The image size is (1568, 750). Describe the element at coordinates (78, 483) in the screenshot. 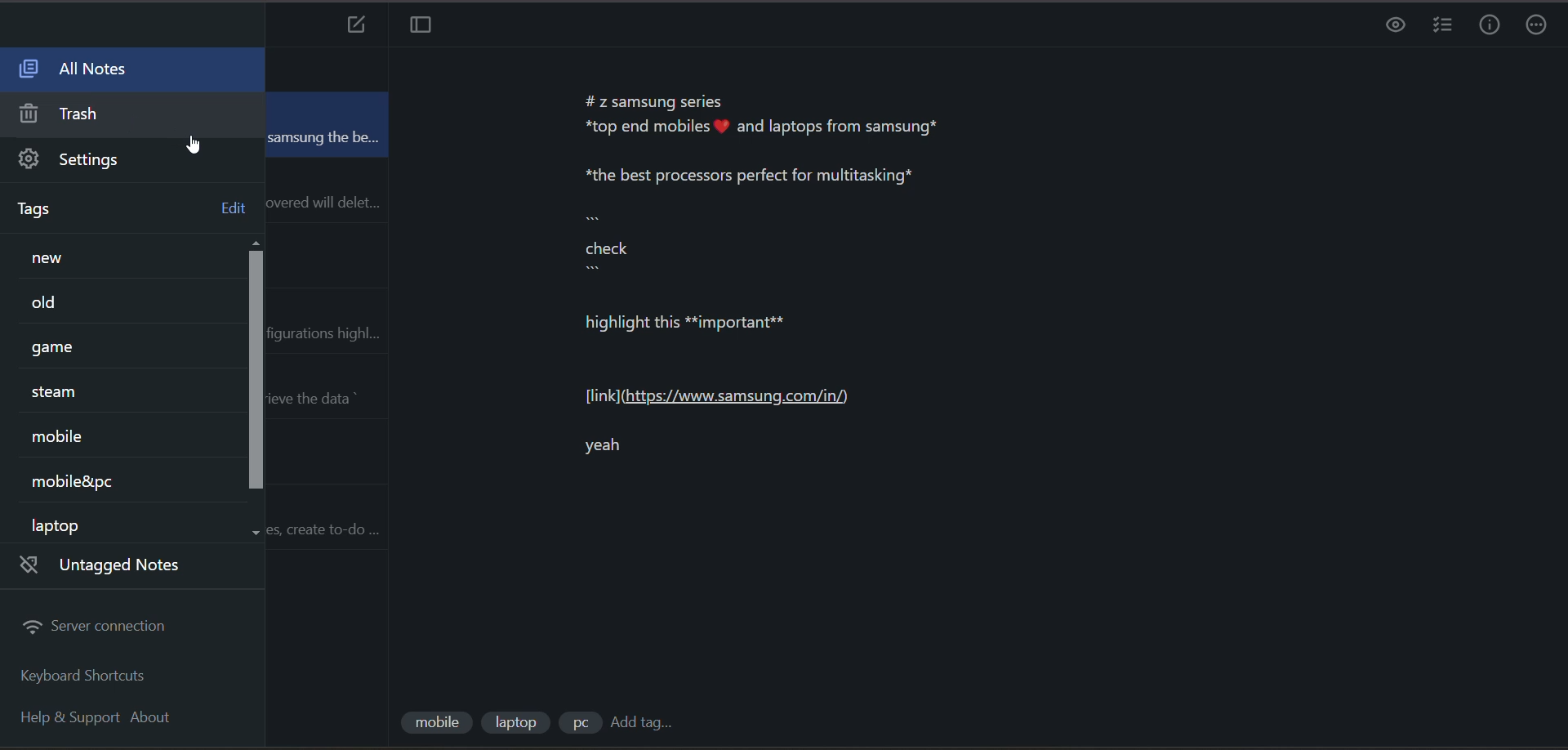

I see `tag 6` at that location.